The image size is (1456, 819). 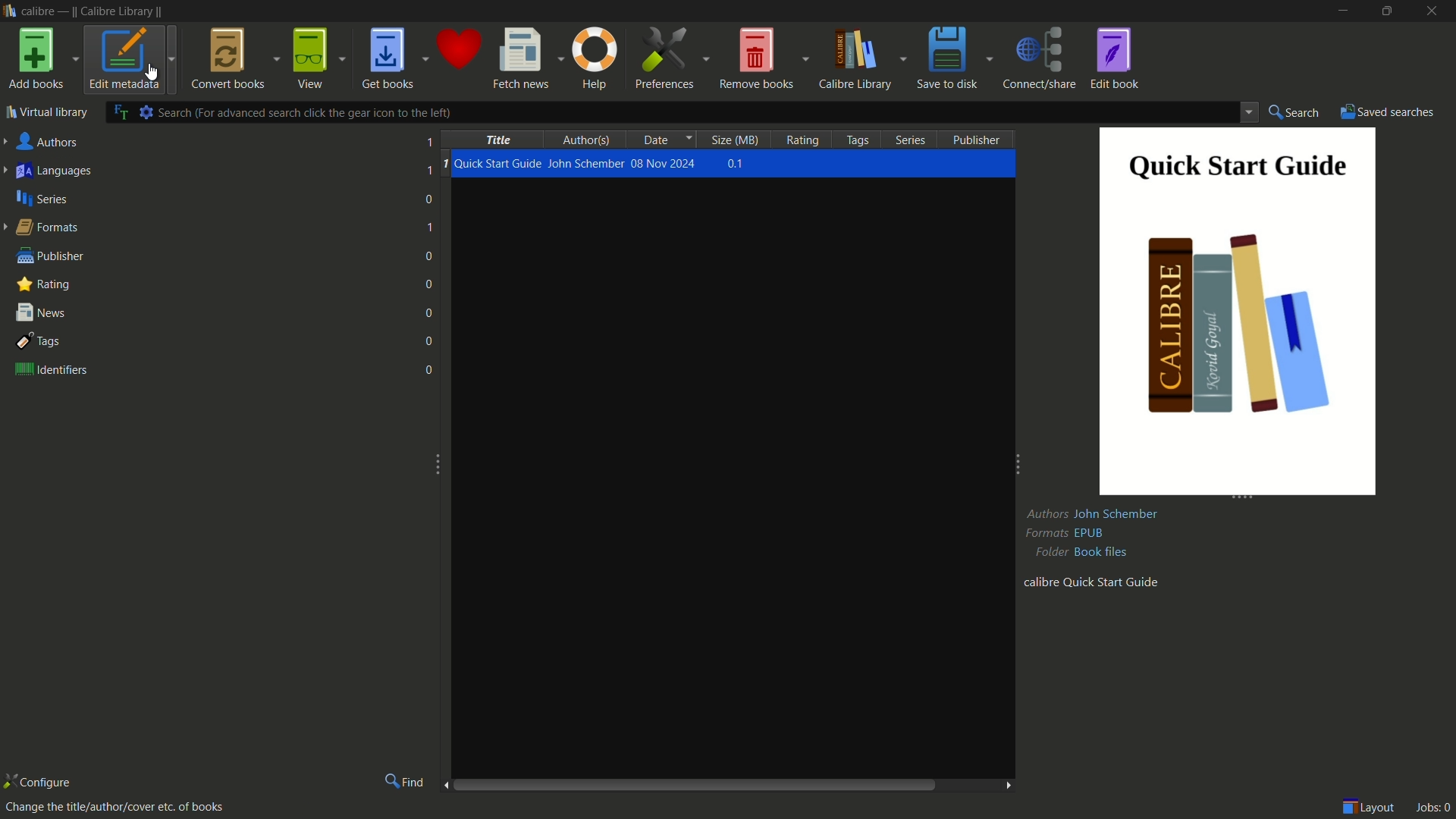 What do you see at coordinates (1050, 552) in the screenshot?
I see `Folder` at bounding box center [1050, 552].